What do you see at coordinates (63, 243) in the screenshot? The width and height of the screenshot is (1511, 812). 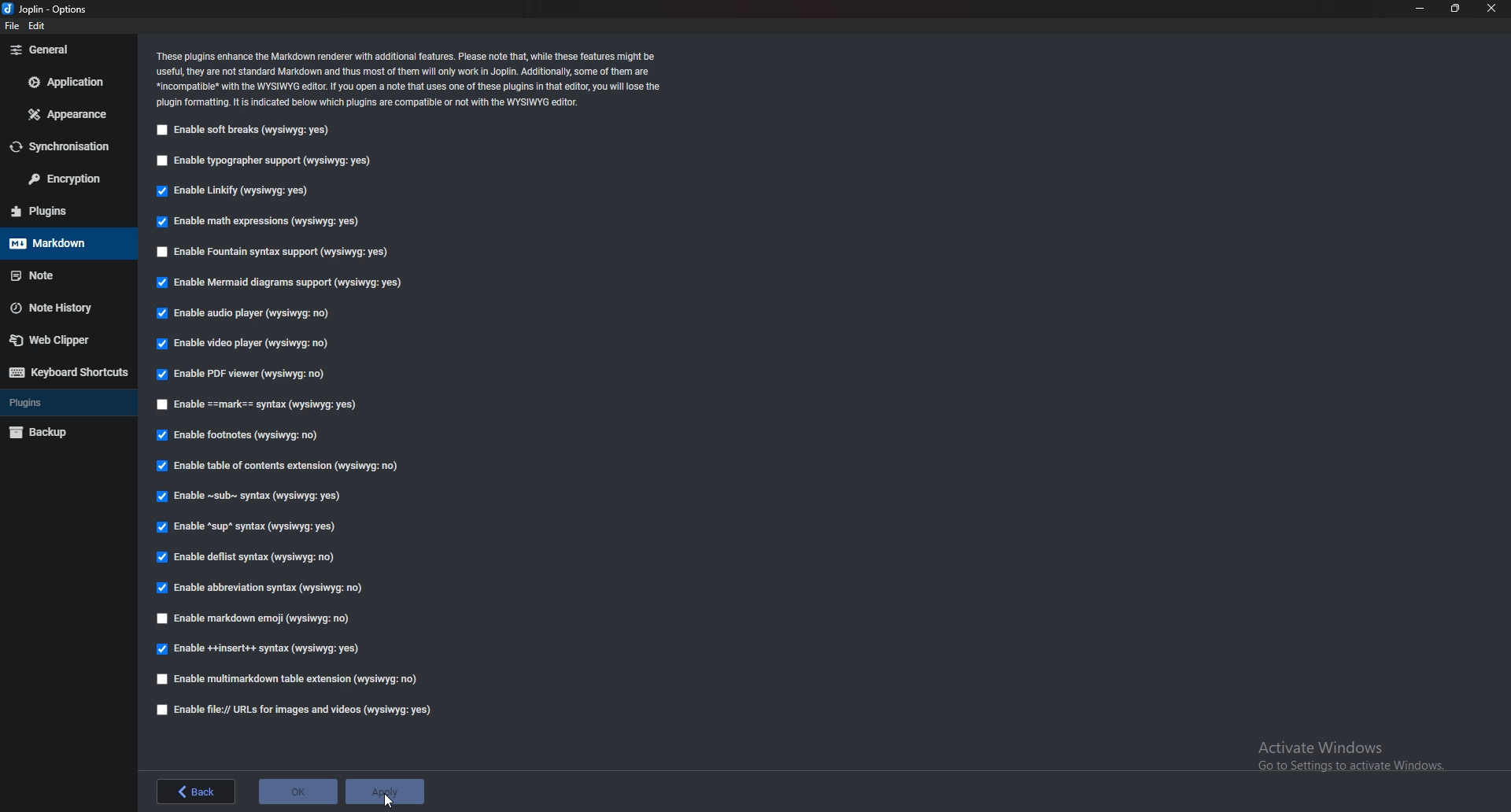 I see `markdown` at bounding box center [63, 243].